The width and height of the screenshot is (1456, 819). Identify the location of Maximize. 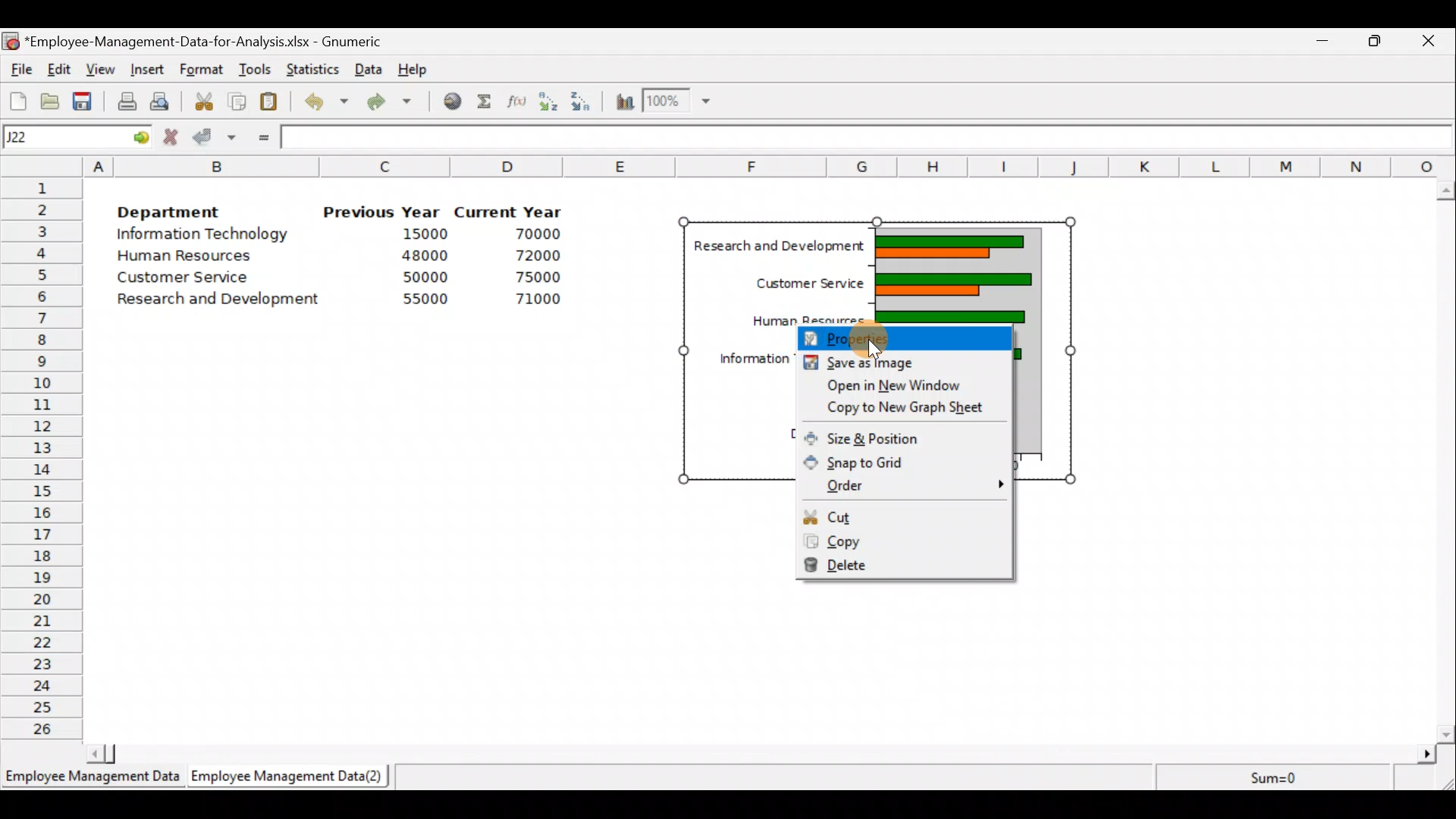
(1378, 41).